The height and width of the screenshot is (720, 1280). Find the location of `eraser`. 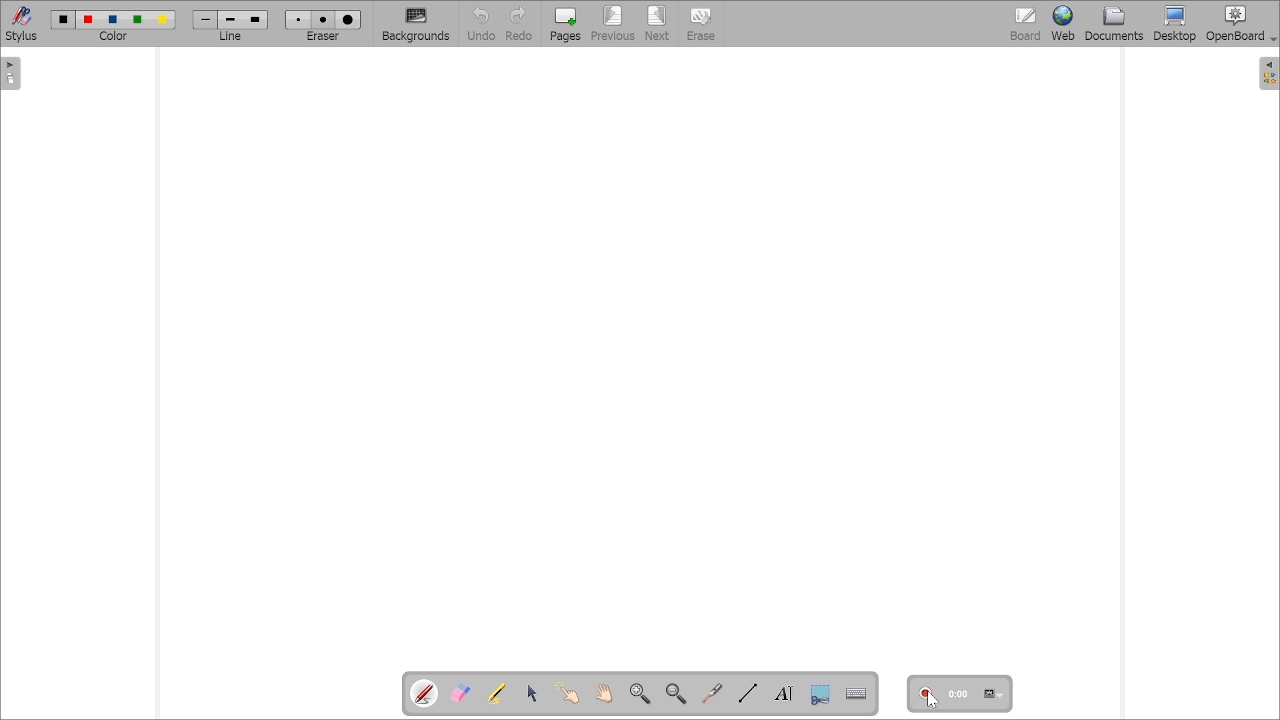

eraser is located at coordinates (323, 38).